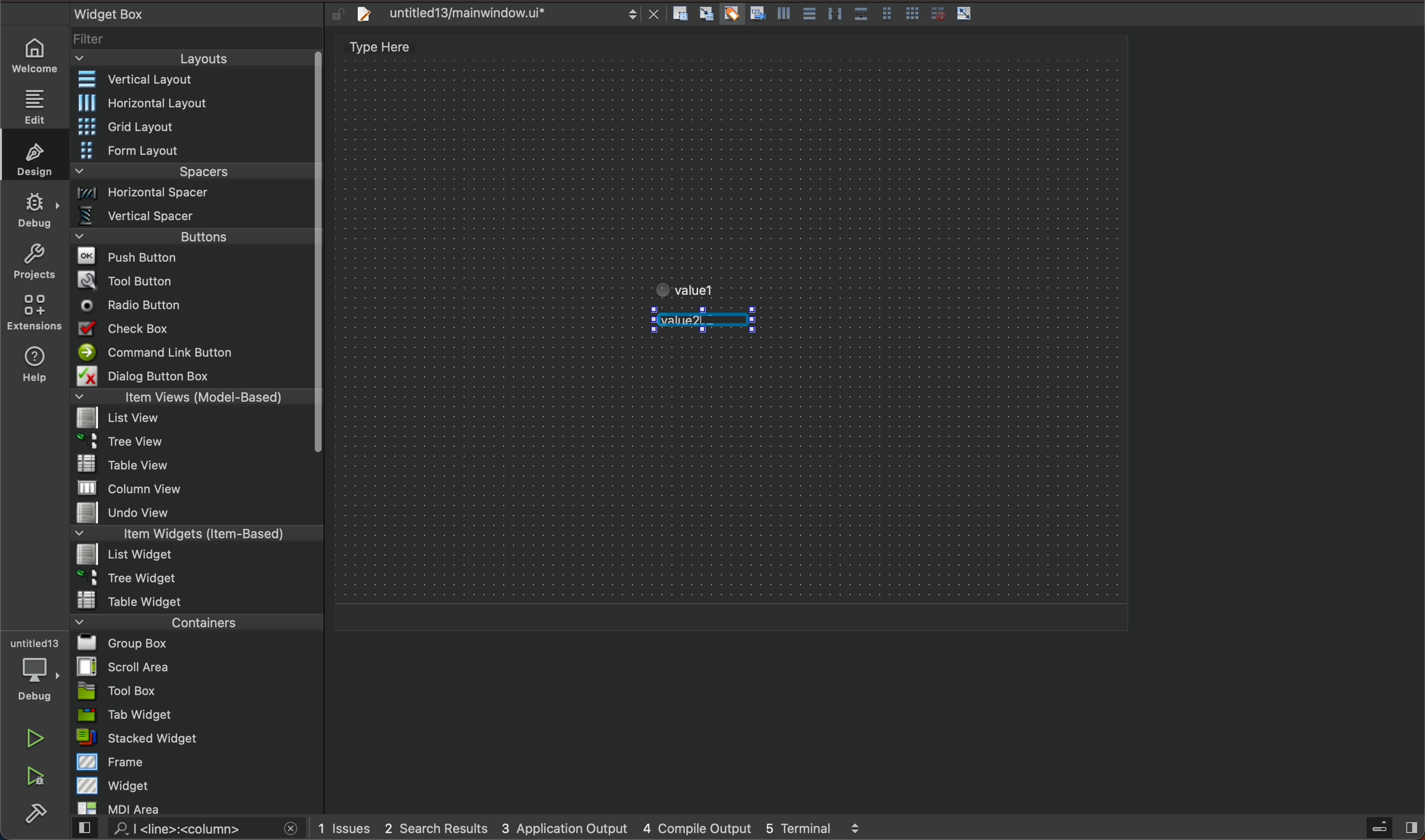 This screenshot has width=1425, height=840. I want to click on debug, so click(36, 209).